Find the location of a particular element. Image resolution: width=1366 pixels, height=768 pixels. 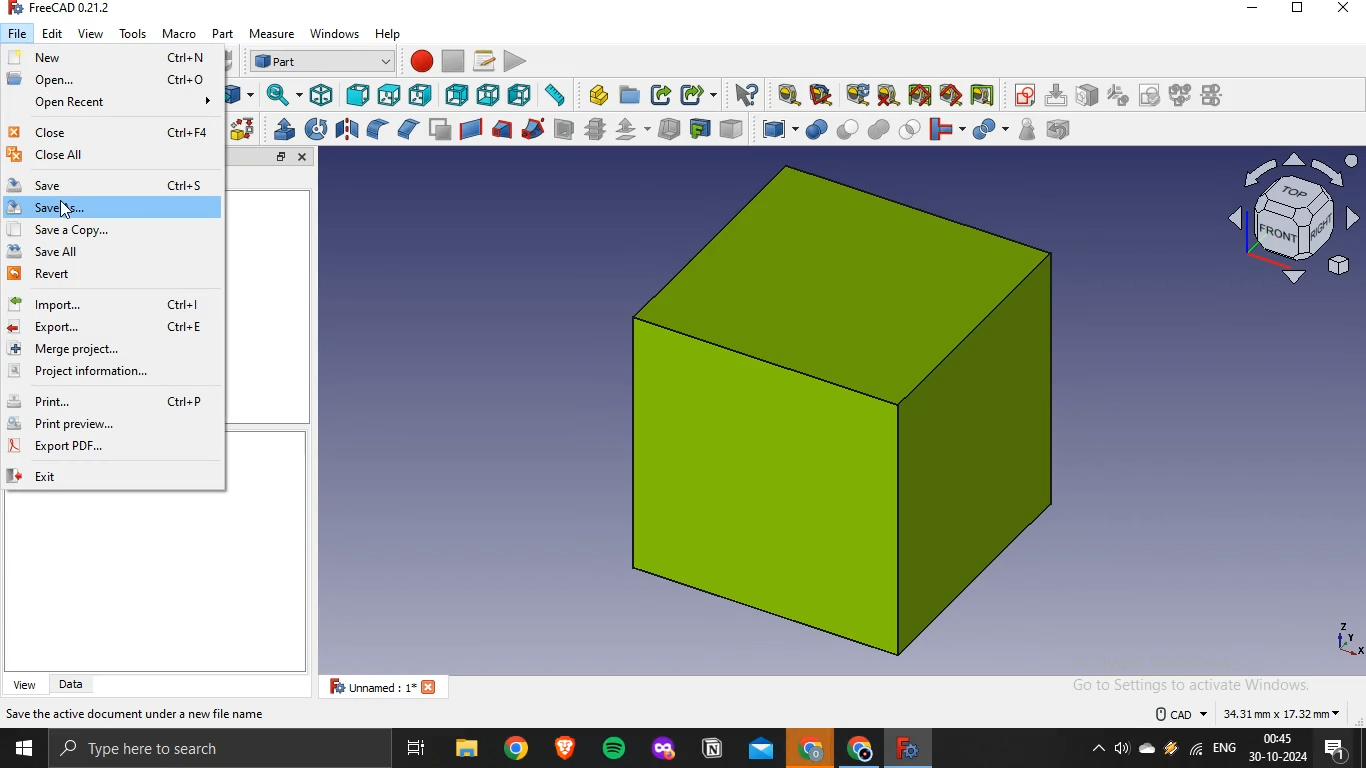

macro recording is located at coordinates (423, 61).